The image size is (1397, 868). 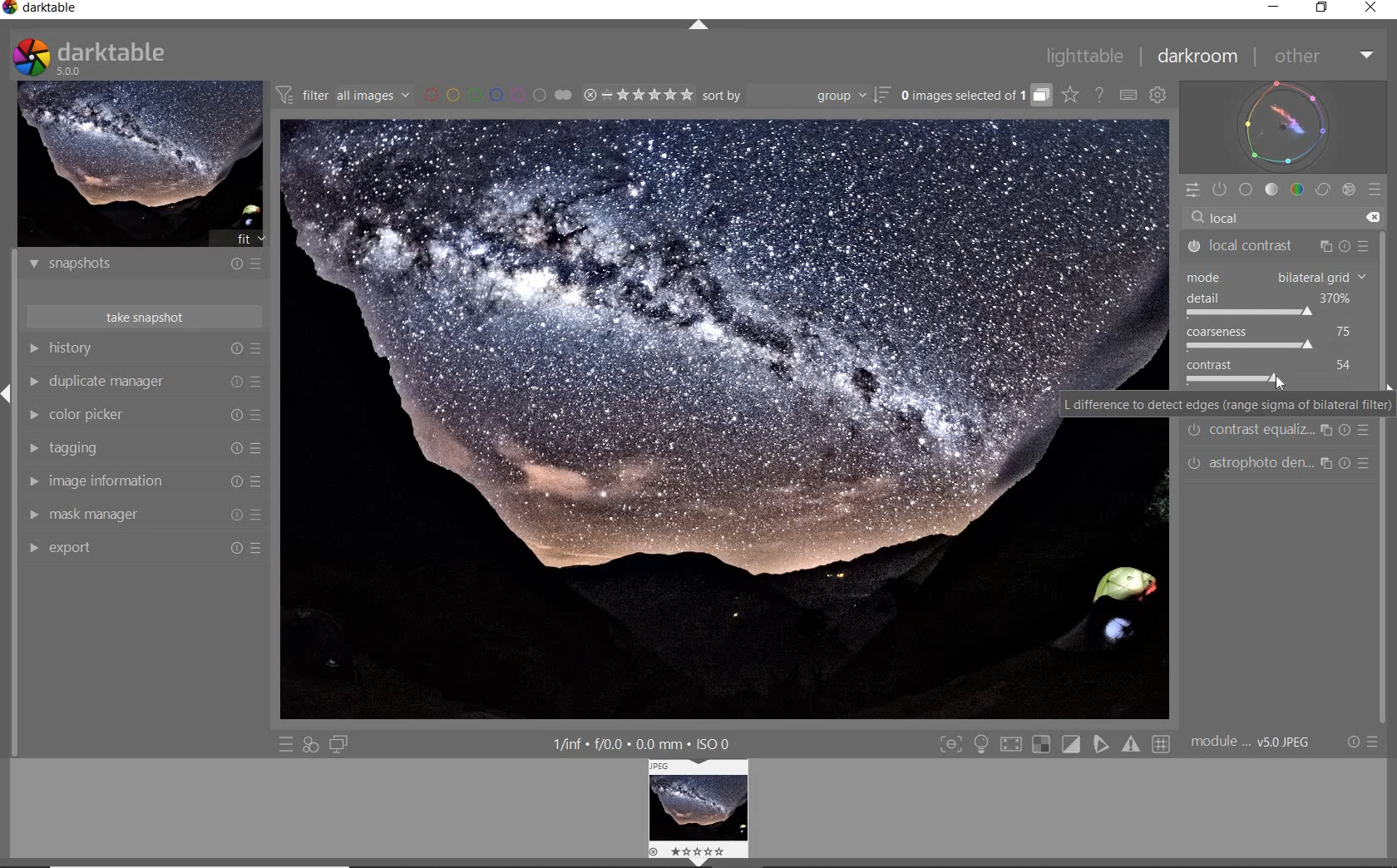 I want to click on DISPLAY A SECOND DARKROOM IMAGE WINDOW, so click(x=338, y=745).